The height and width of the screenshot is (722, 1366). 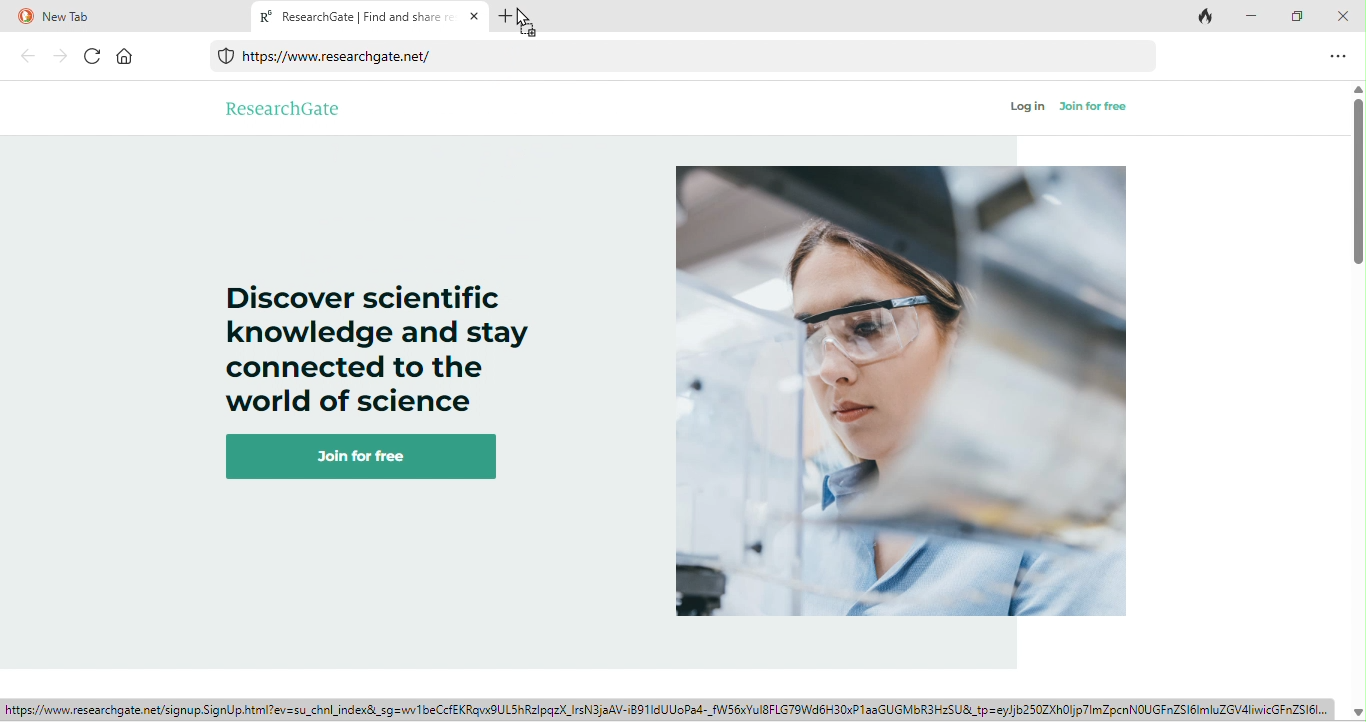 I want to click on home, so click(x=125, y=56).